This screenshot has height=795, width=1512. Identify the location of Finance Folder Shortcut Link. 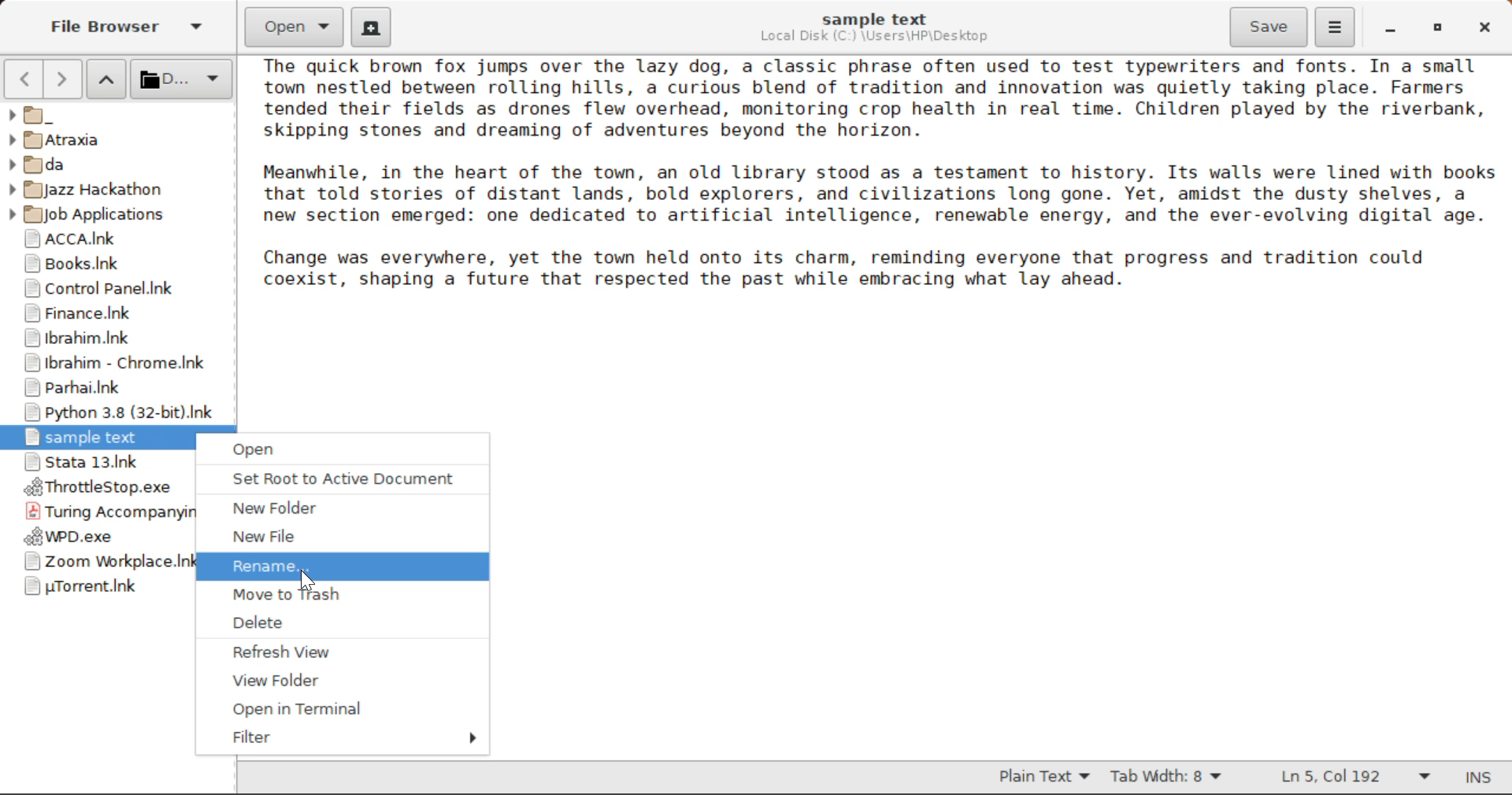
(114, 314).